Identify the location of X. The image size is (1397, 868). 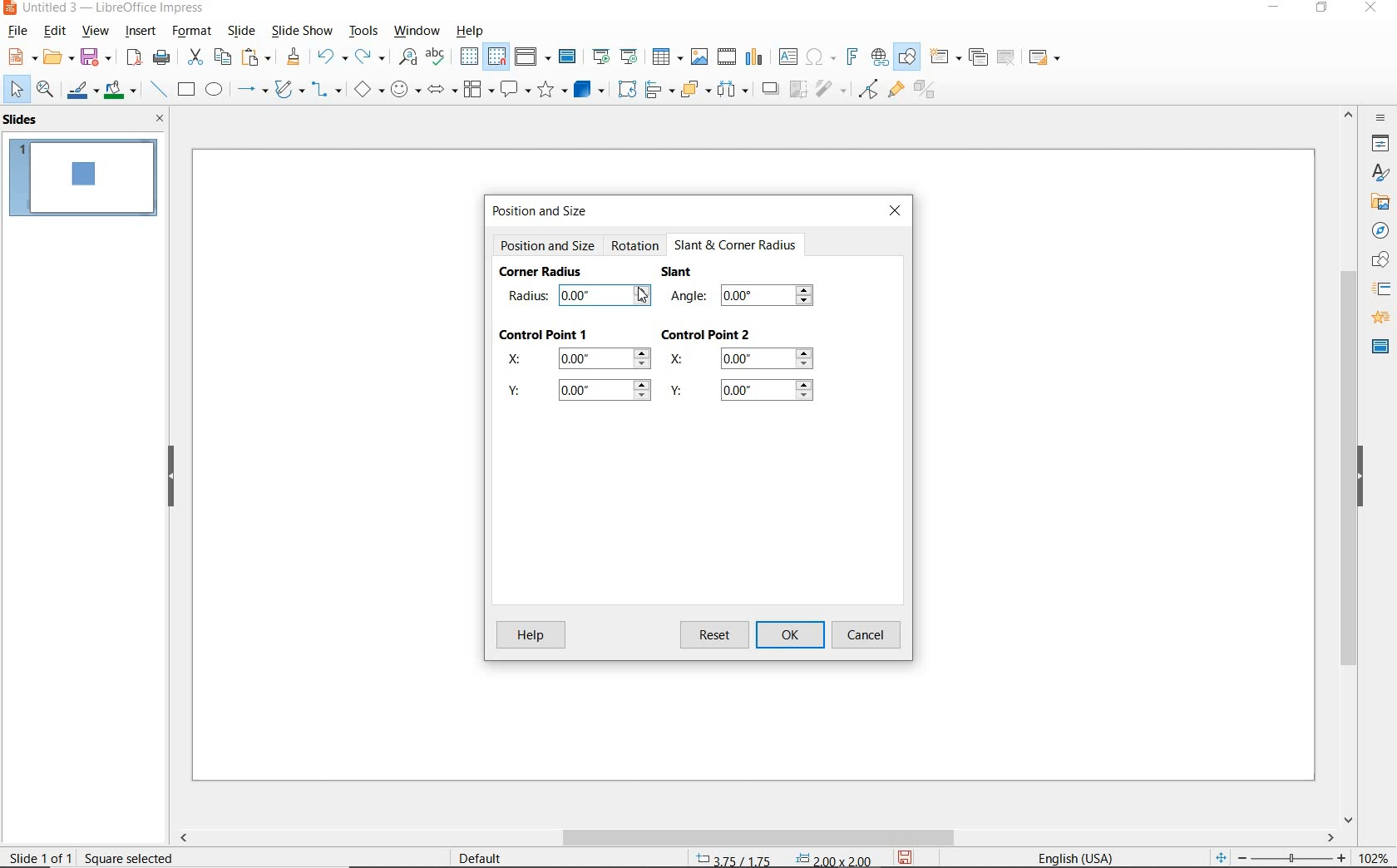
(575, 360).